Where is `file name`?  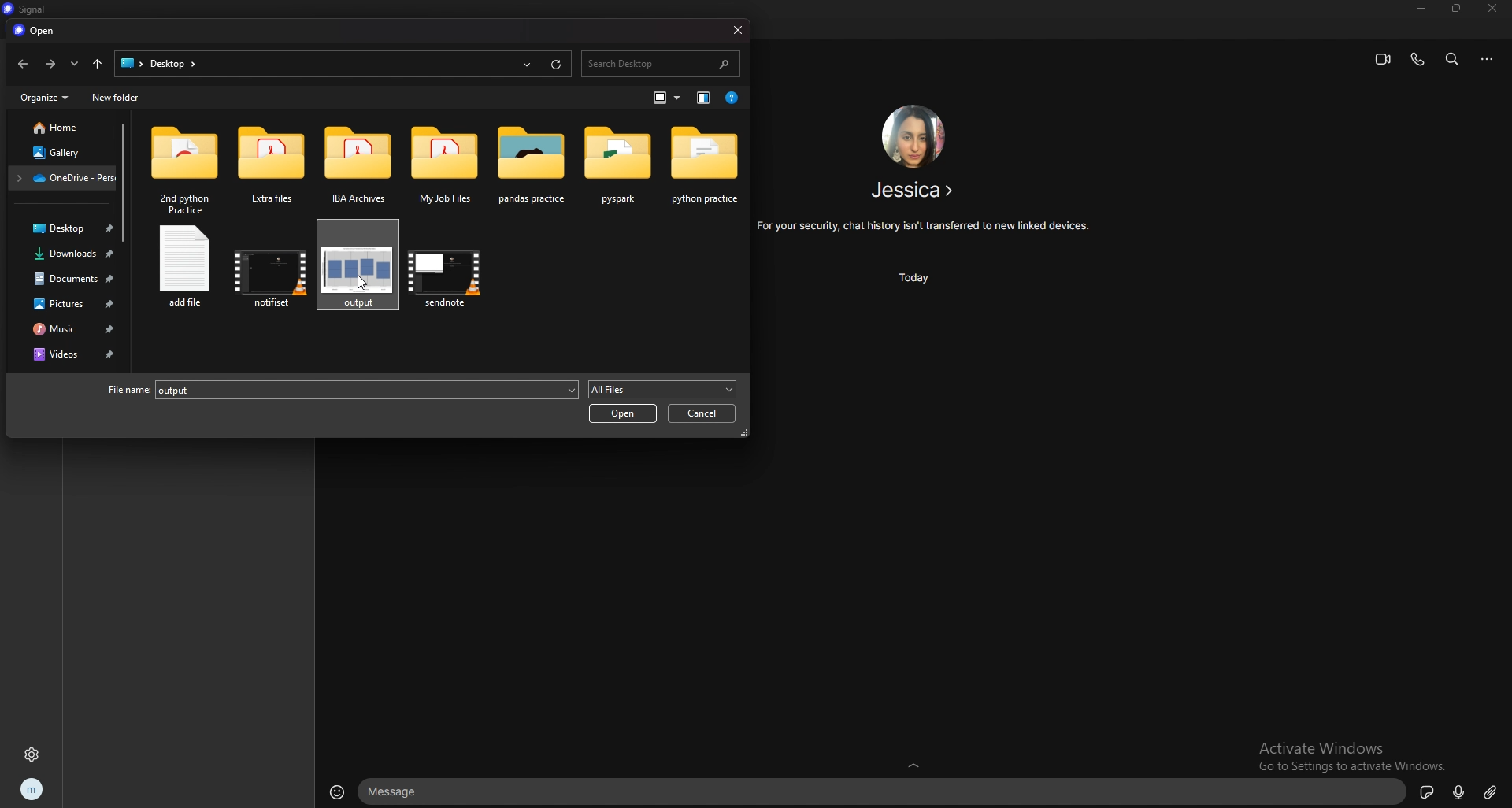
file name is located at coordinates (341, 391).